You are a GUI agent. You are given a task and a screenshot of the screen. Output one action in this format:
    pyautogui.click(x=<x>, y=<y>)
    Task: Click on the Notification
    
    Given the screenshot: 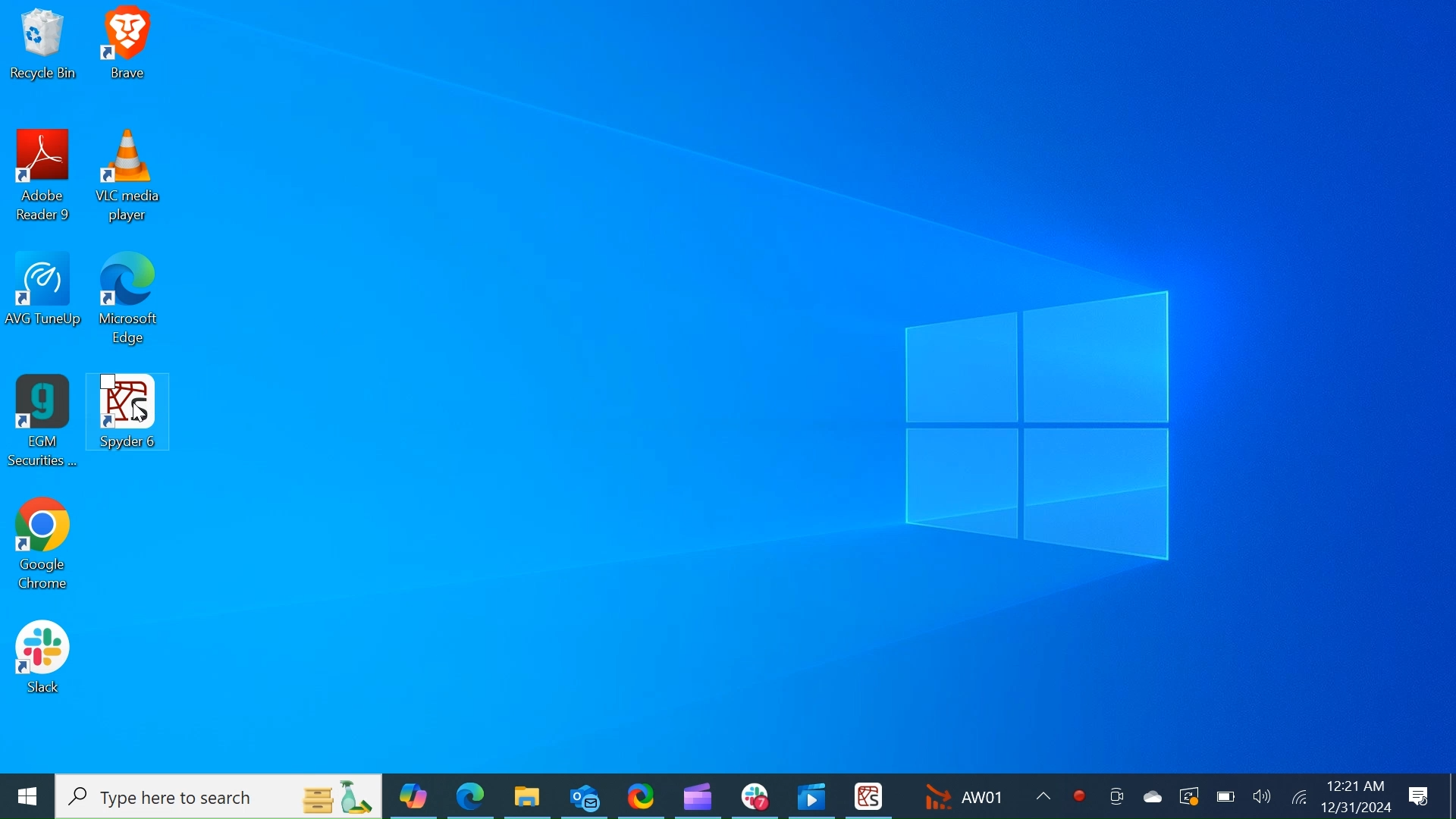 What is the action you would take?
    pyautogui.click(x=1419, y=795)
    